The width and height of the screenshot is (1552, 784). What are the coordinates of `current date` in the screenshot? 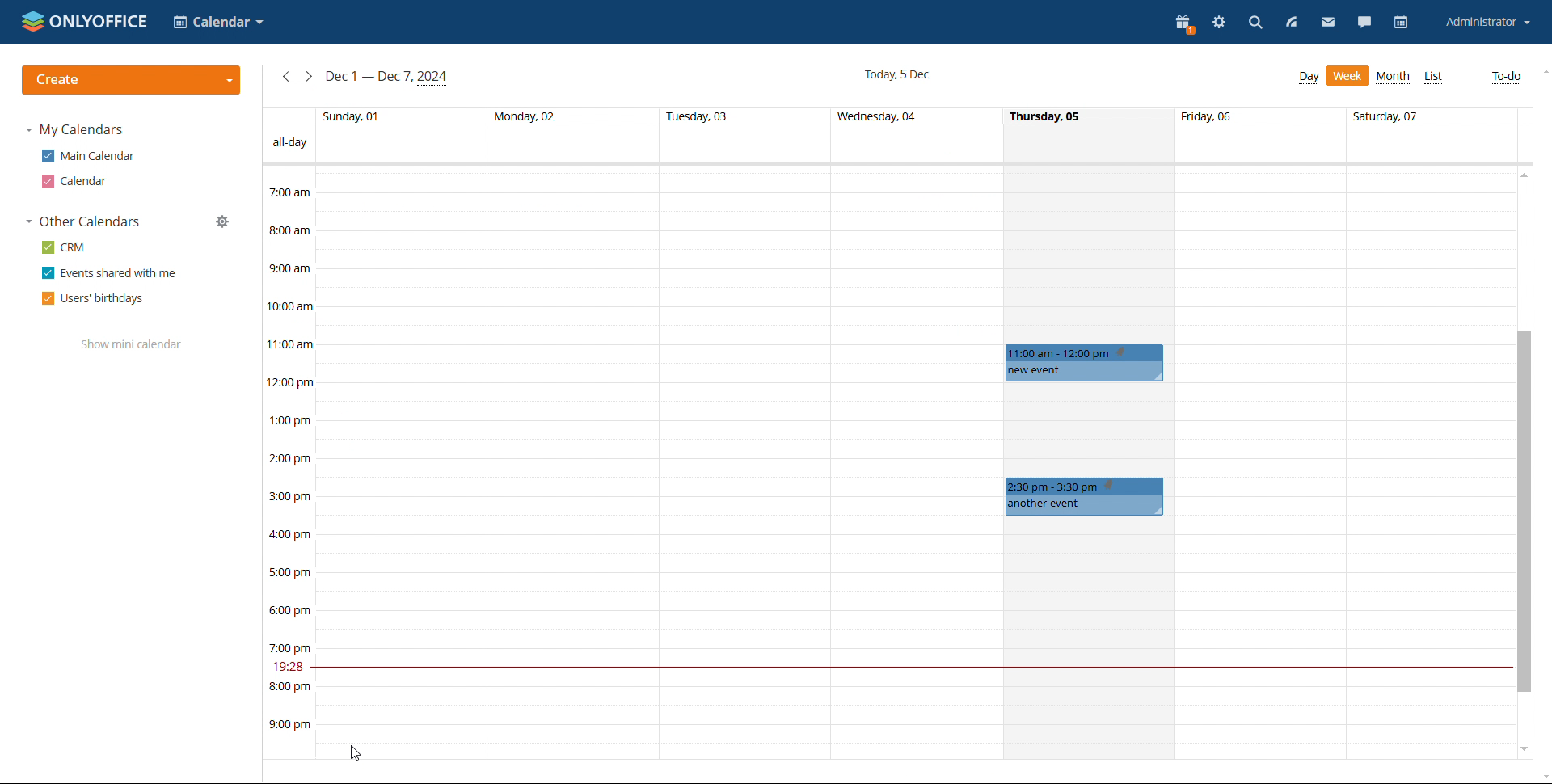 It's located at (897, 74).